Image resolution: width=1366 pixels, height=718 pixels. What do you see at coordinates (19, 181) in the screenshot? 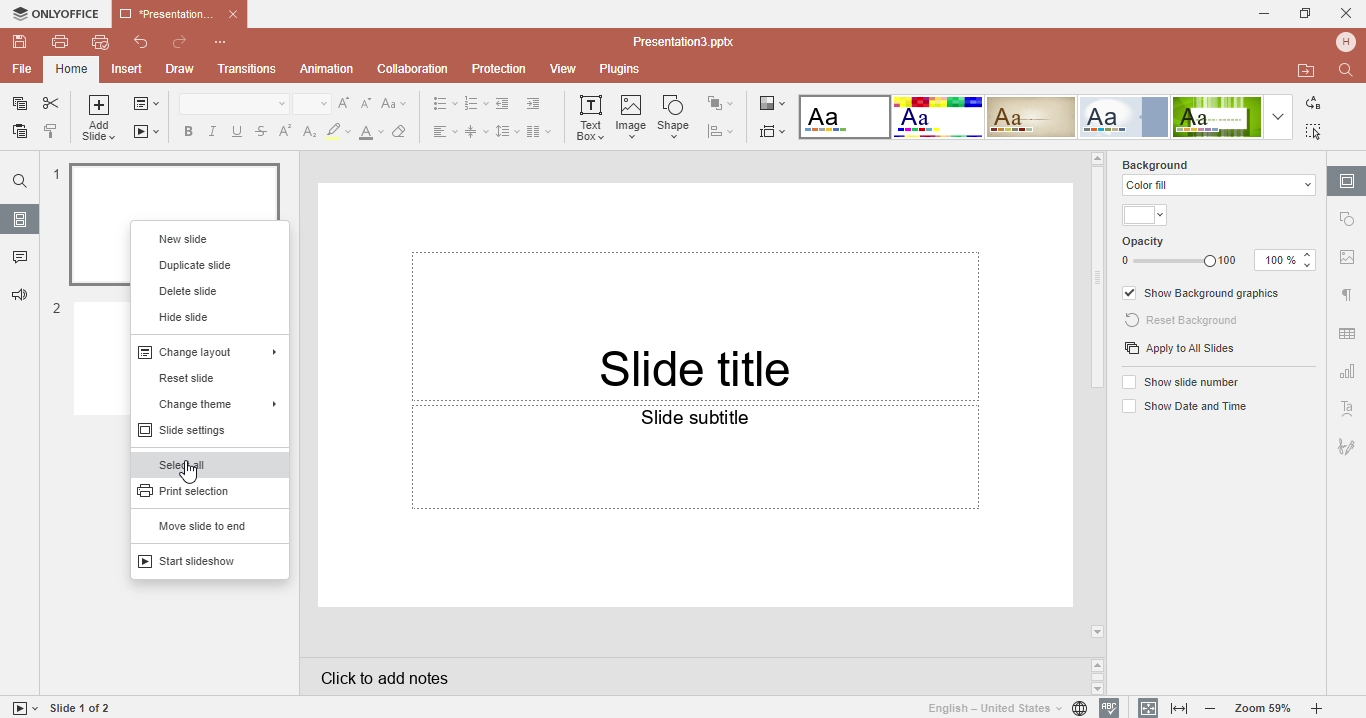
I see `Find` at bounding box center [19, 181].